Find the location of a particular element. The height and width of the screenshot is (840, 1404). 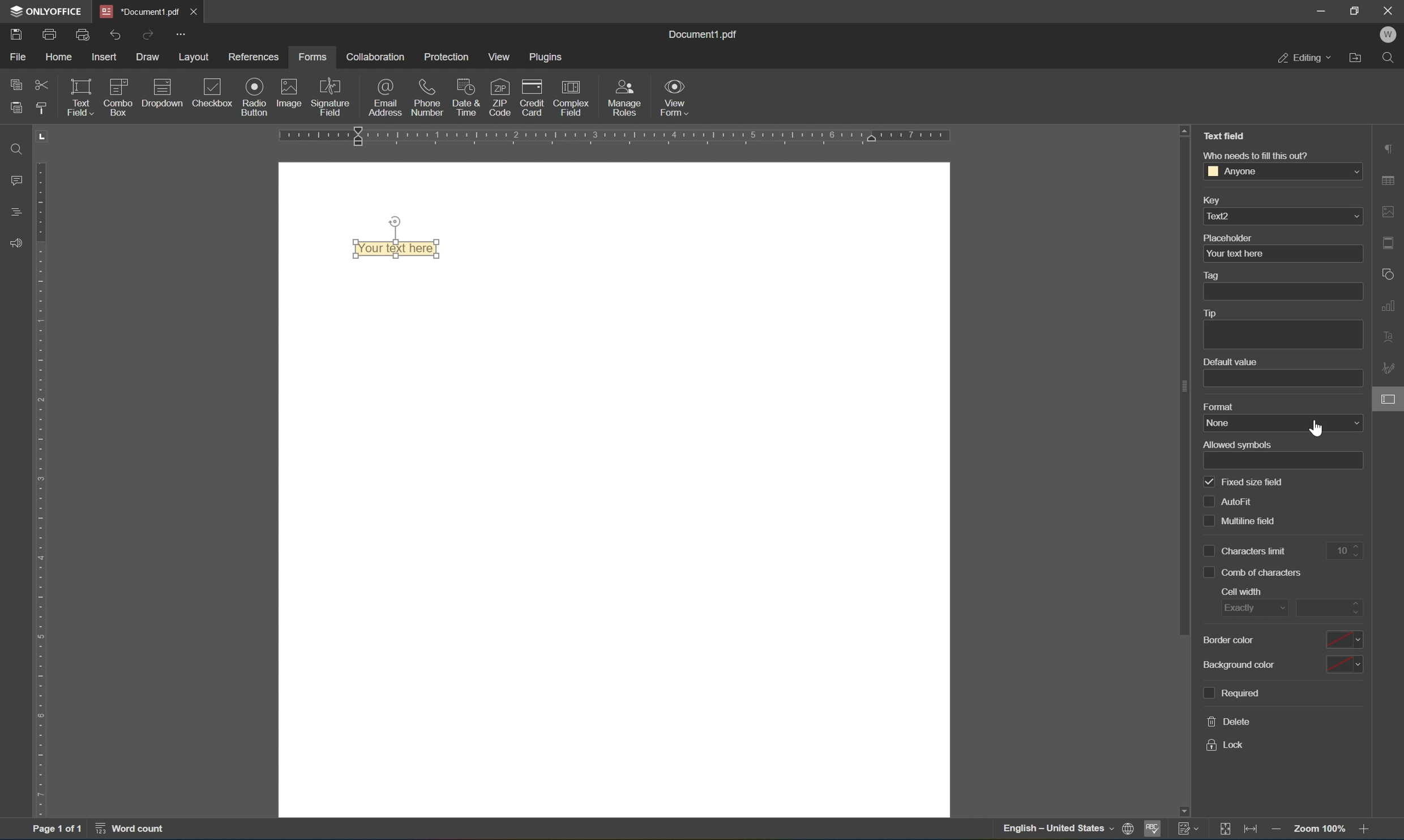

print preview is located at coordinates (82, 33).